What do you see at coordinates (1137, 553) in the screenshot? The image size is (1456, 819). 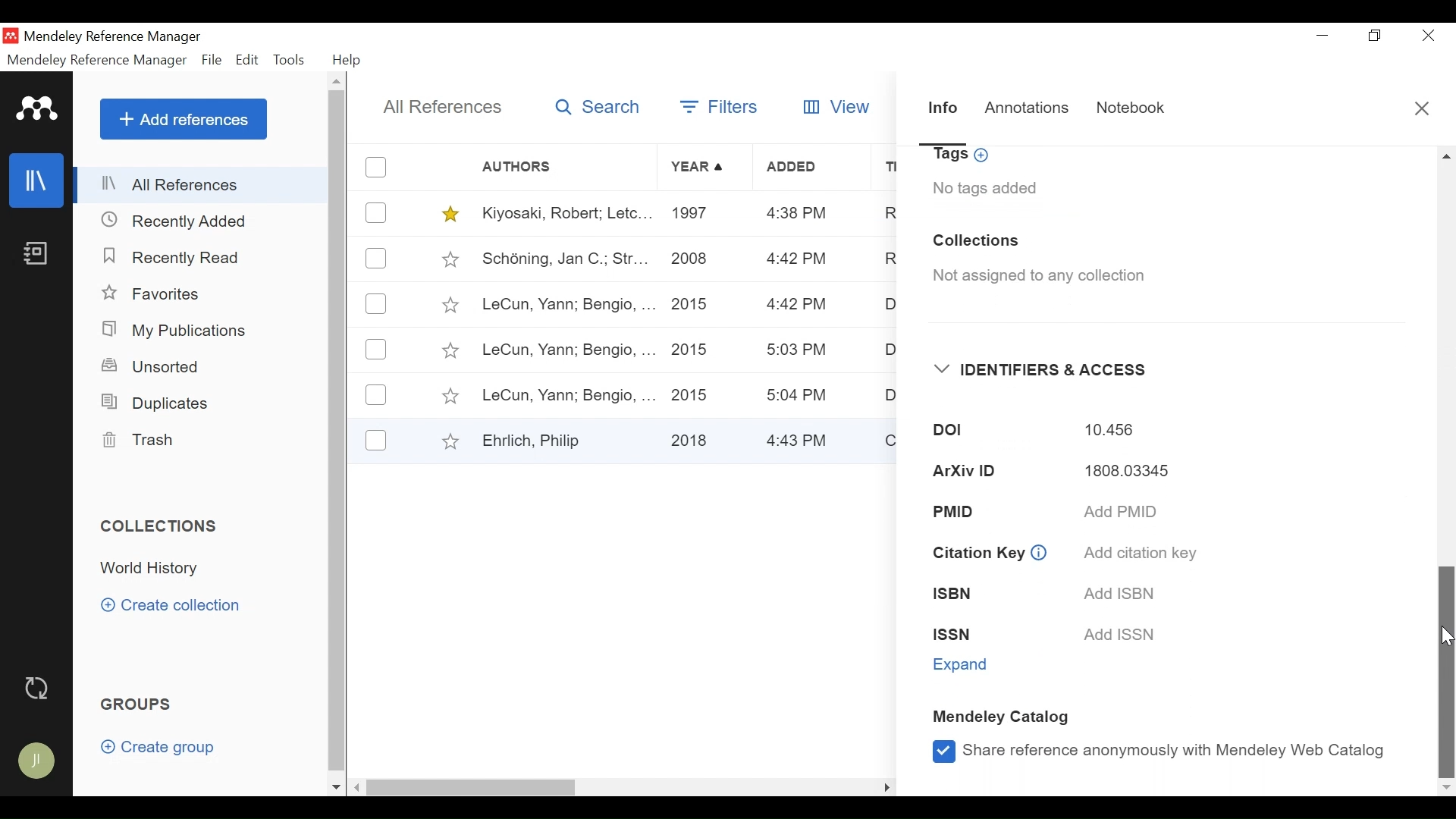 I see `Add citation key` at bounding box center [1137, 553].